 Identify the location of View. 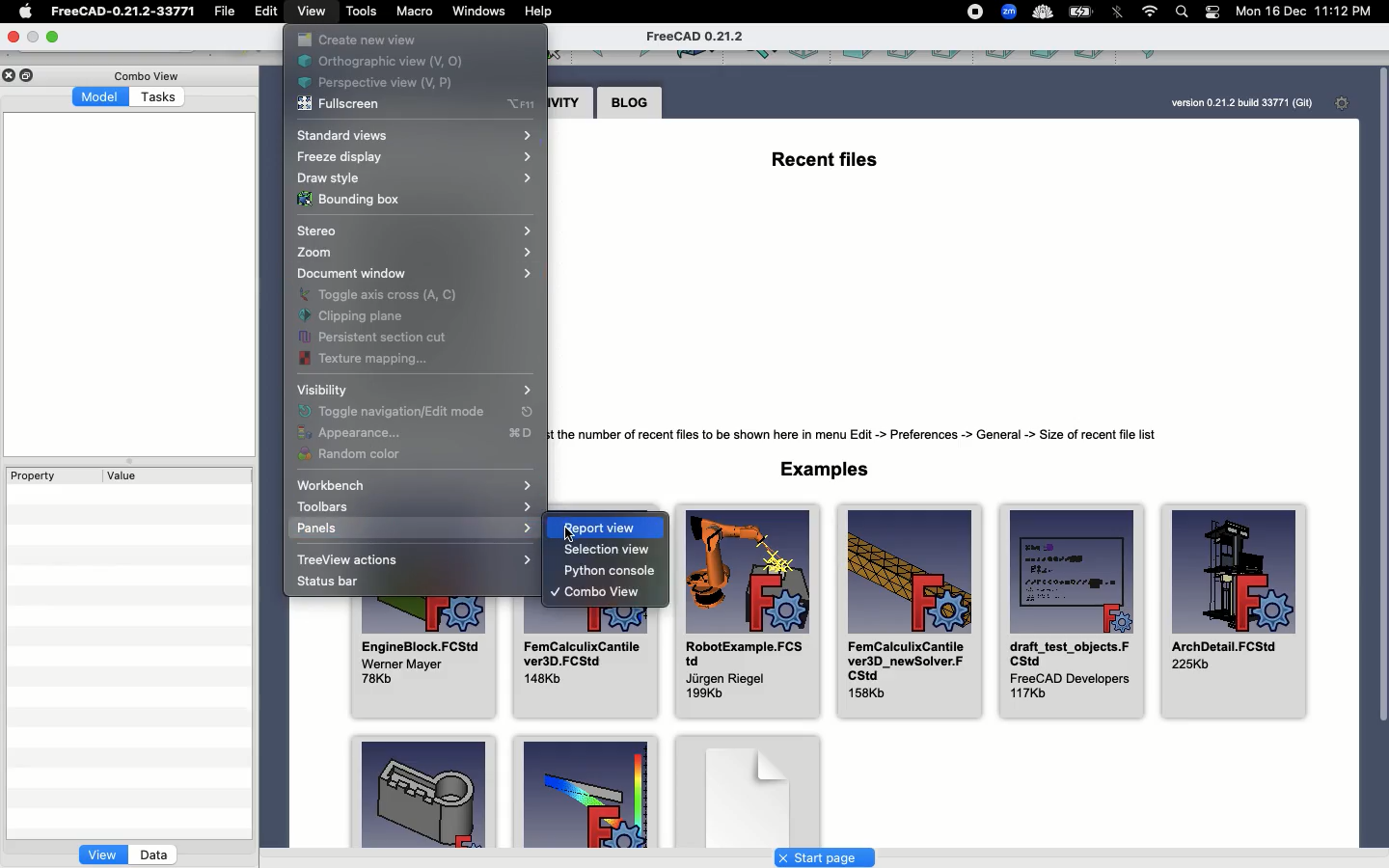
(101, 854).